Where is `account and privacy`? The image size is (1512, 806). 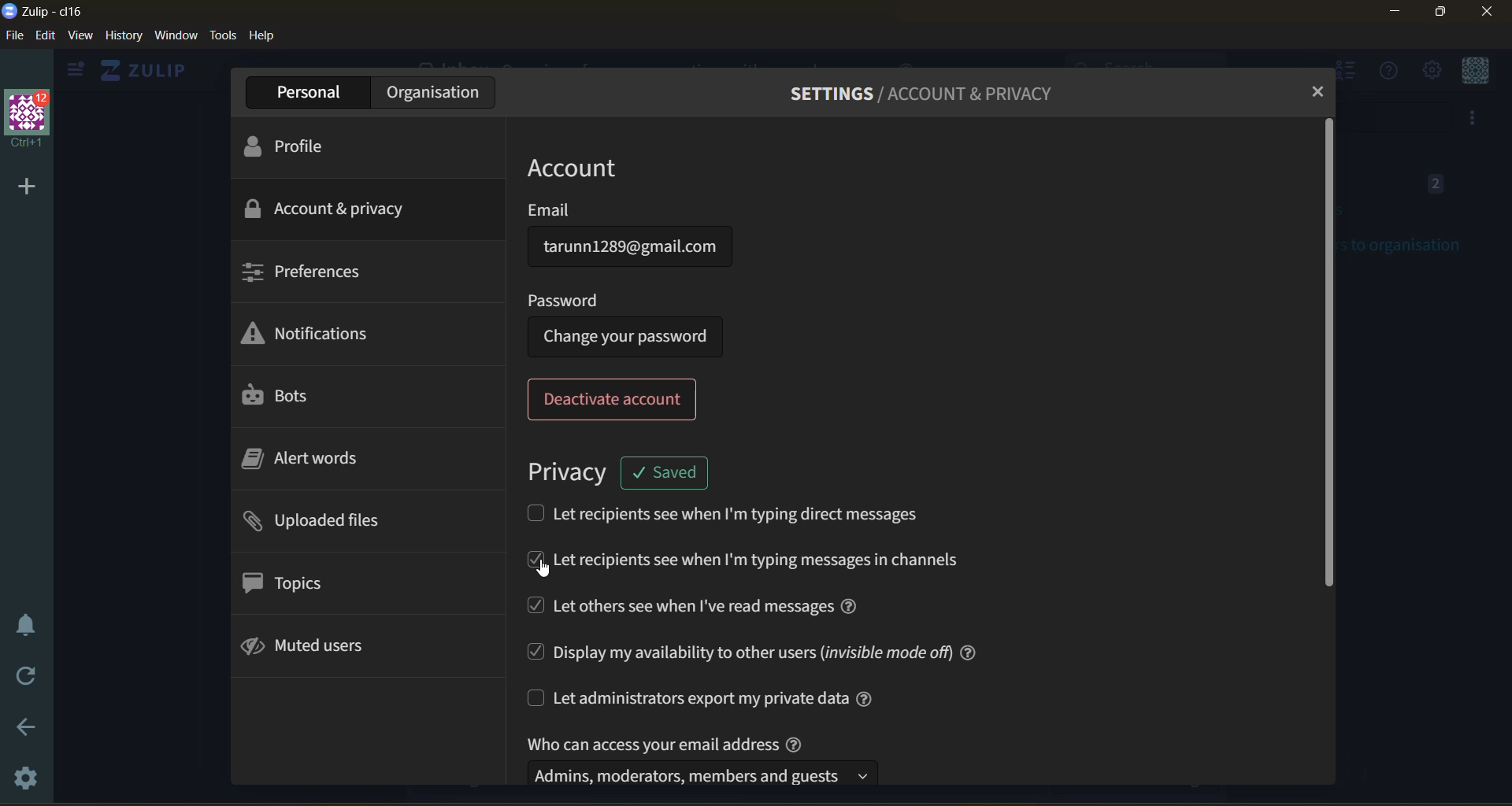
account and privacy is located at coordinates (328, 208).